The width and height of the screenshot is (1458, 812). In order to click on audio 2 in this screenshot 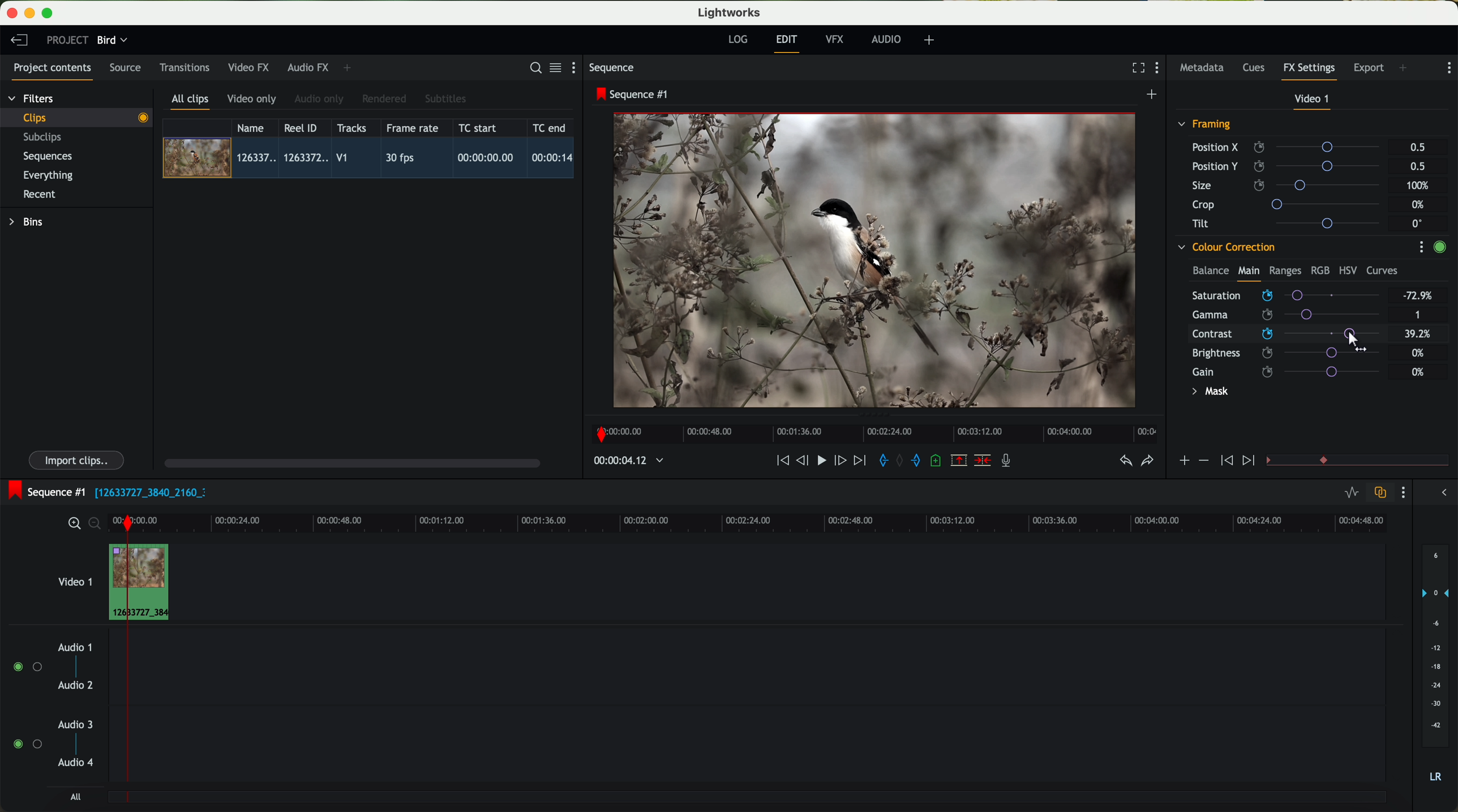, I will do `click(76, 686)`.